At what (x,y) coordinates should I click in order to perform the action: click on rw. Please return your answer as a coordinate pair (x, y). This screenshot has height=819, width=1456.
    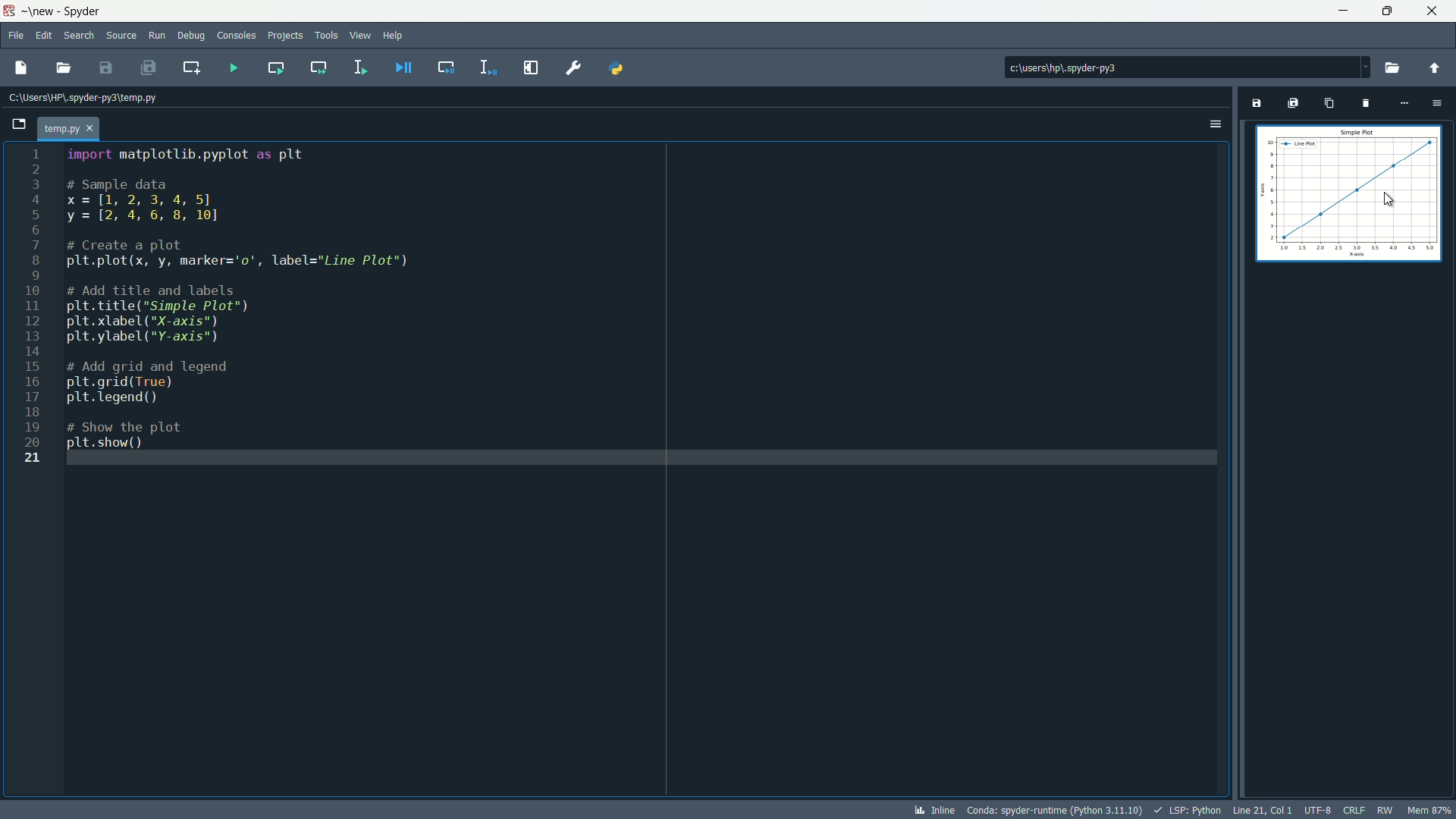
    Looking at the image, I should click on (1385, 808).